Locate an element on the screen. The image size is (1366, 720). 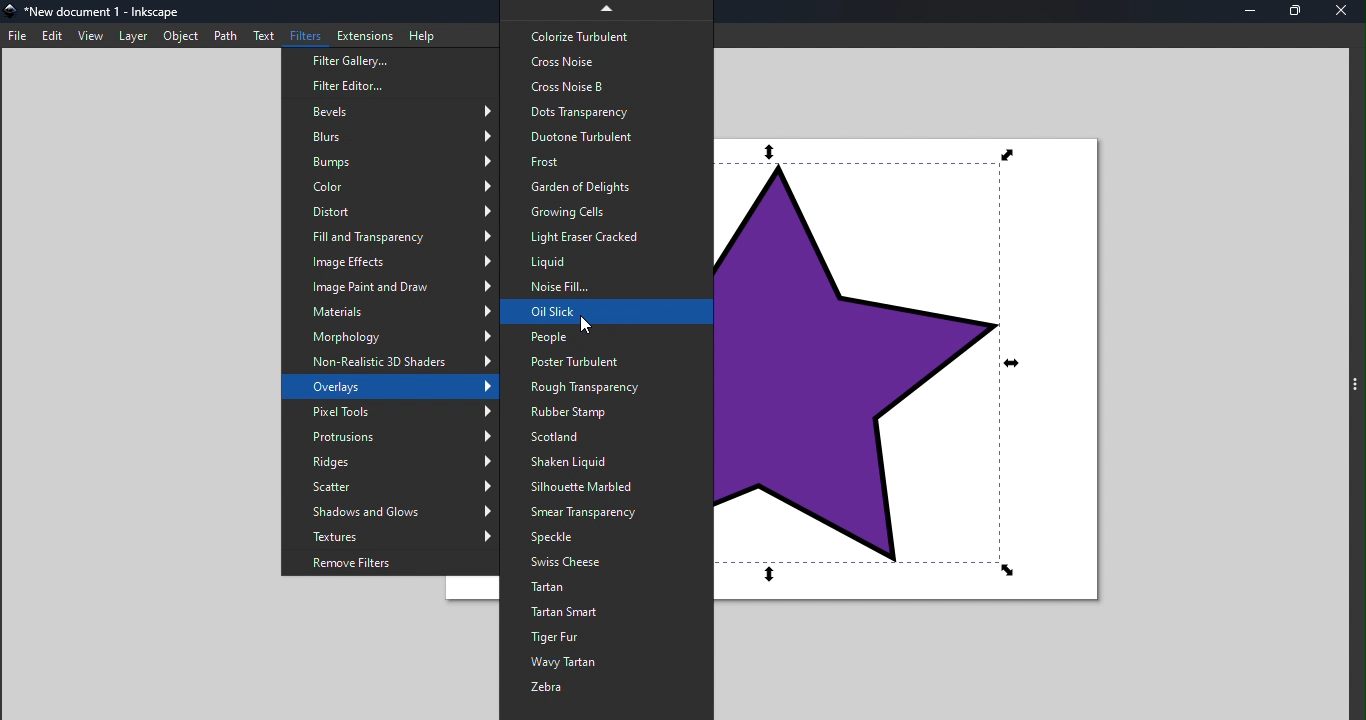
Pixel tools is located at coordinates (390, 412).